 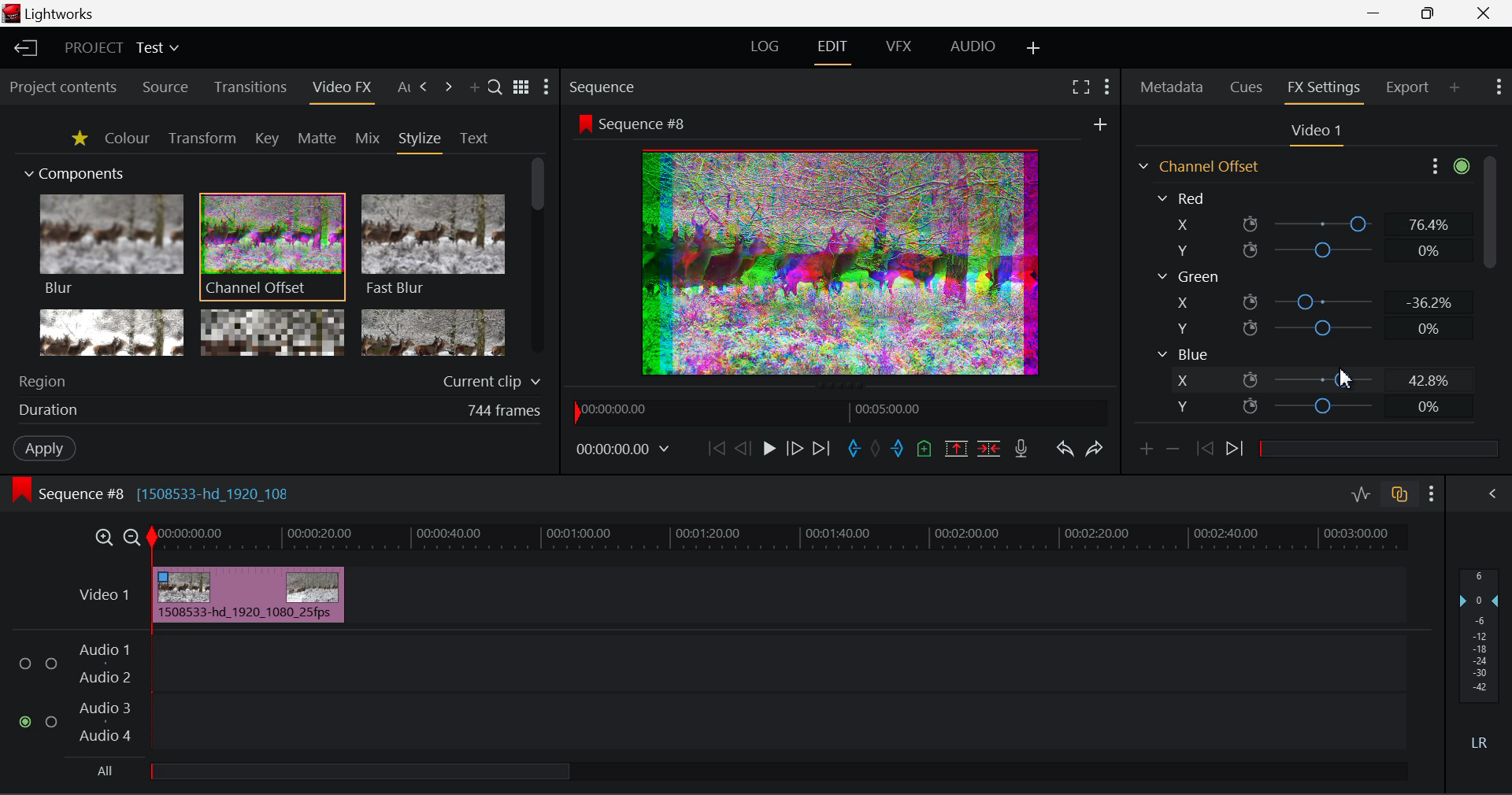 I want to click on Red, so click(x=1184, y=197).